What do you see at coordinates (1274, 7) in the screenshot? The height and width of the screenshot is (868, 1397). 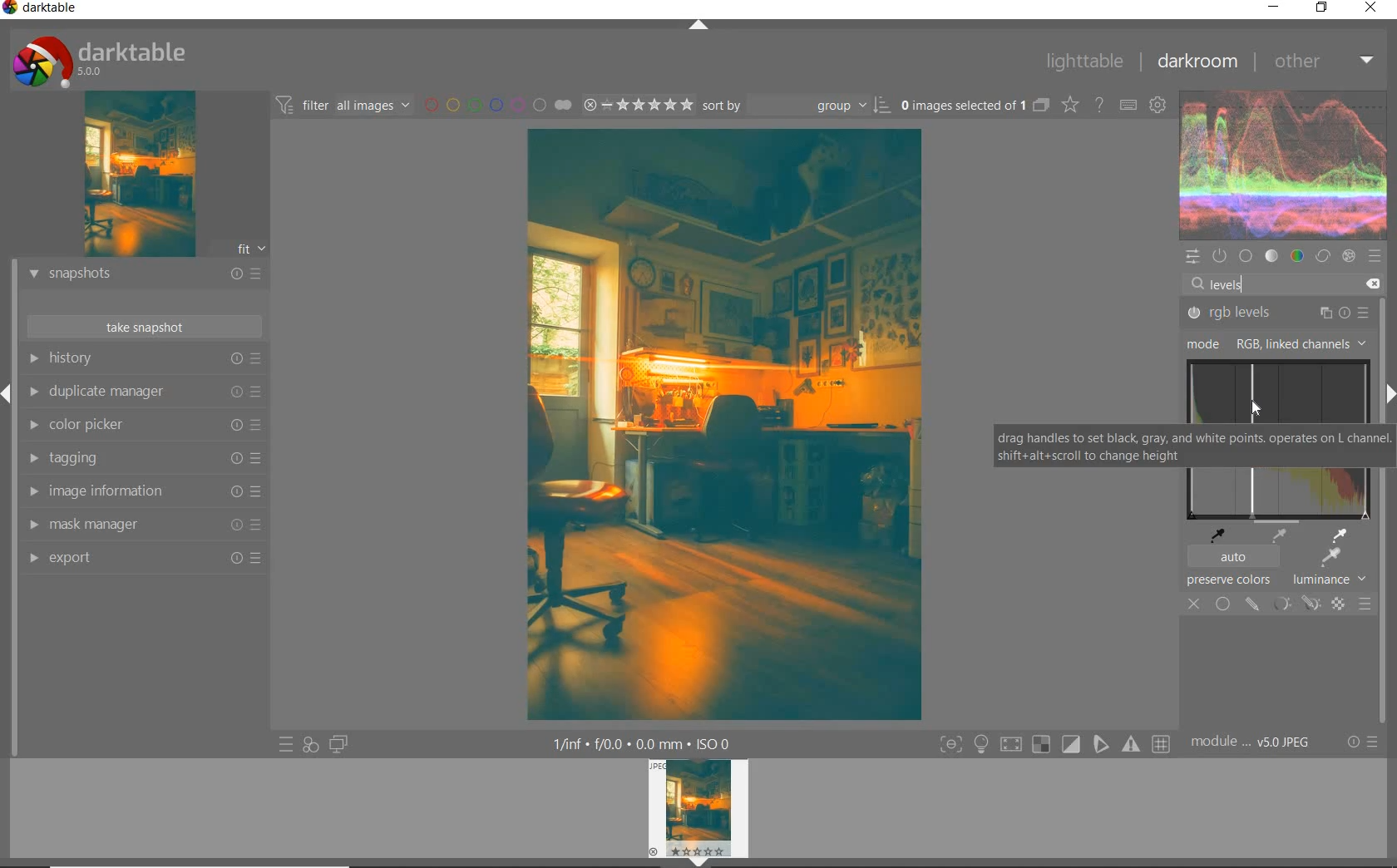 I see `minimize` at bounding box center [1274, 7].